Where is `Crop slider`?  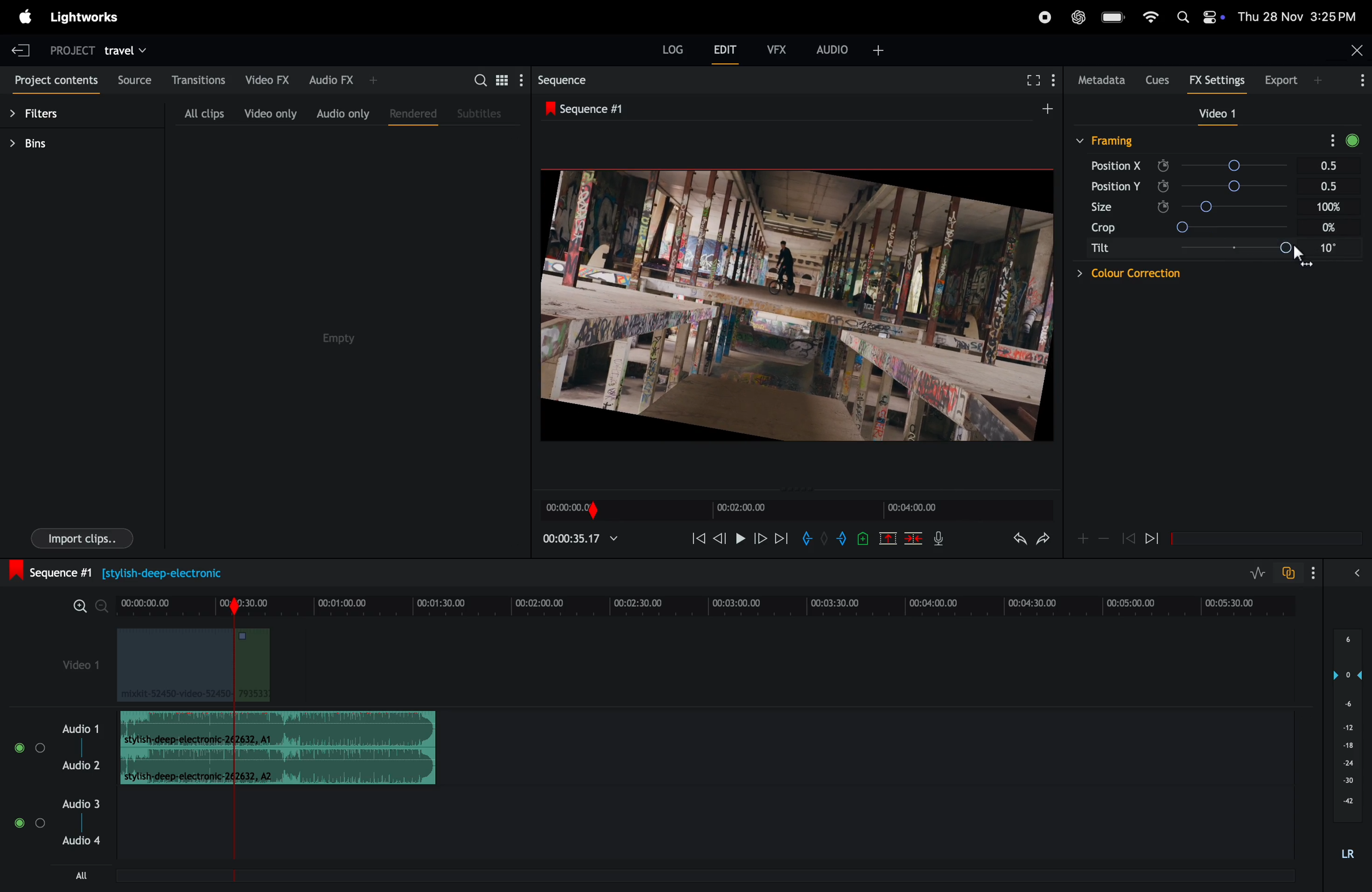
Crop slider is located at coordinates (1264, 227).